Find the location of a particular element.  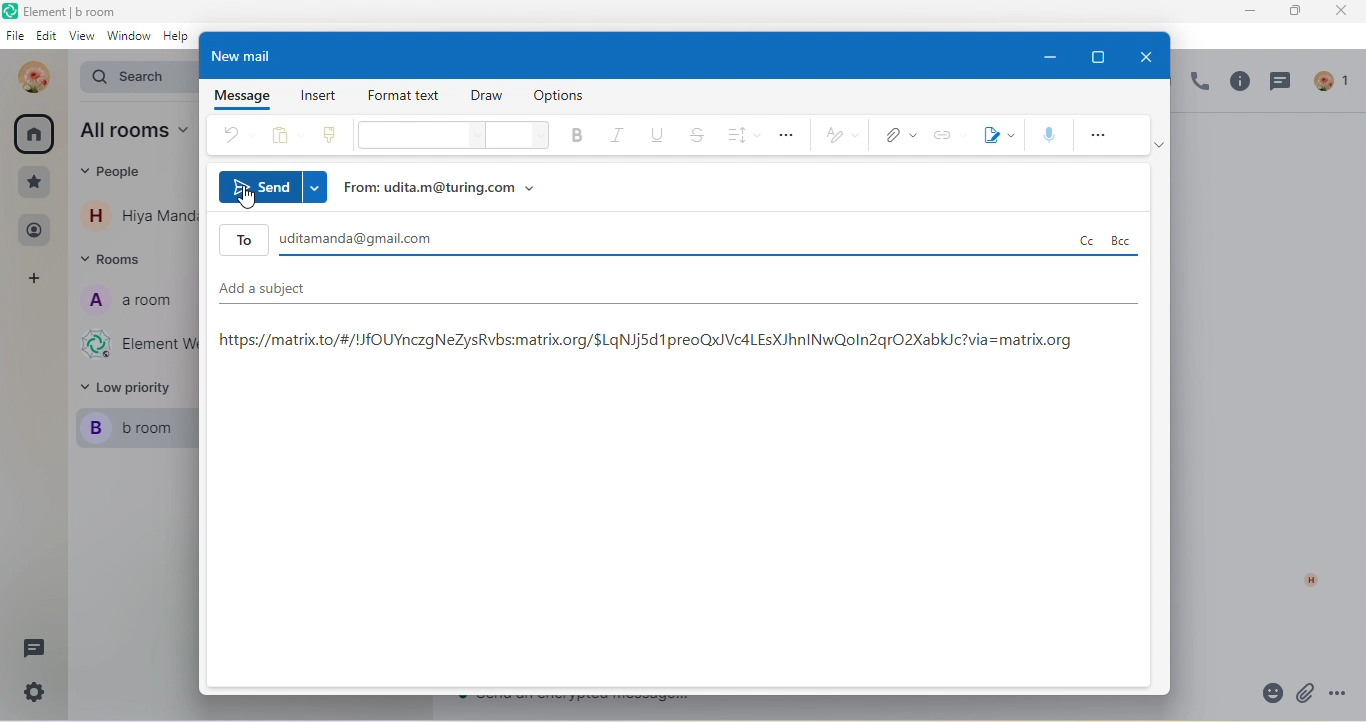

option is located at coordinates (1344, 693).